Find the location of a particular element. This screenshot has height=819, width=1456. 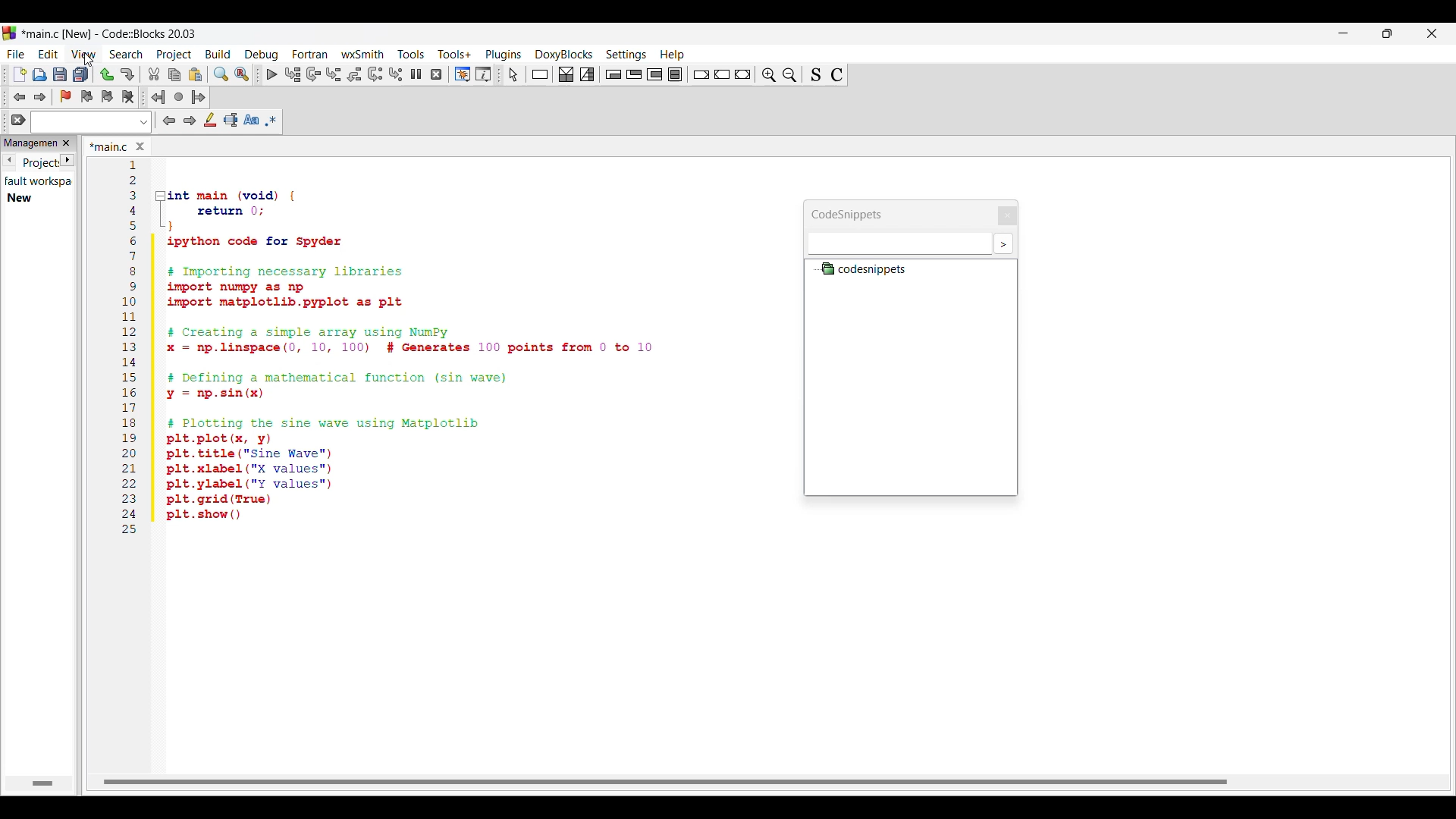

Tools+ menu is located at coordinates (454, 54).